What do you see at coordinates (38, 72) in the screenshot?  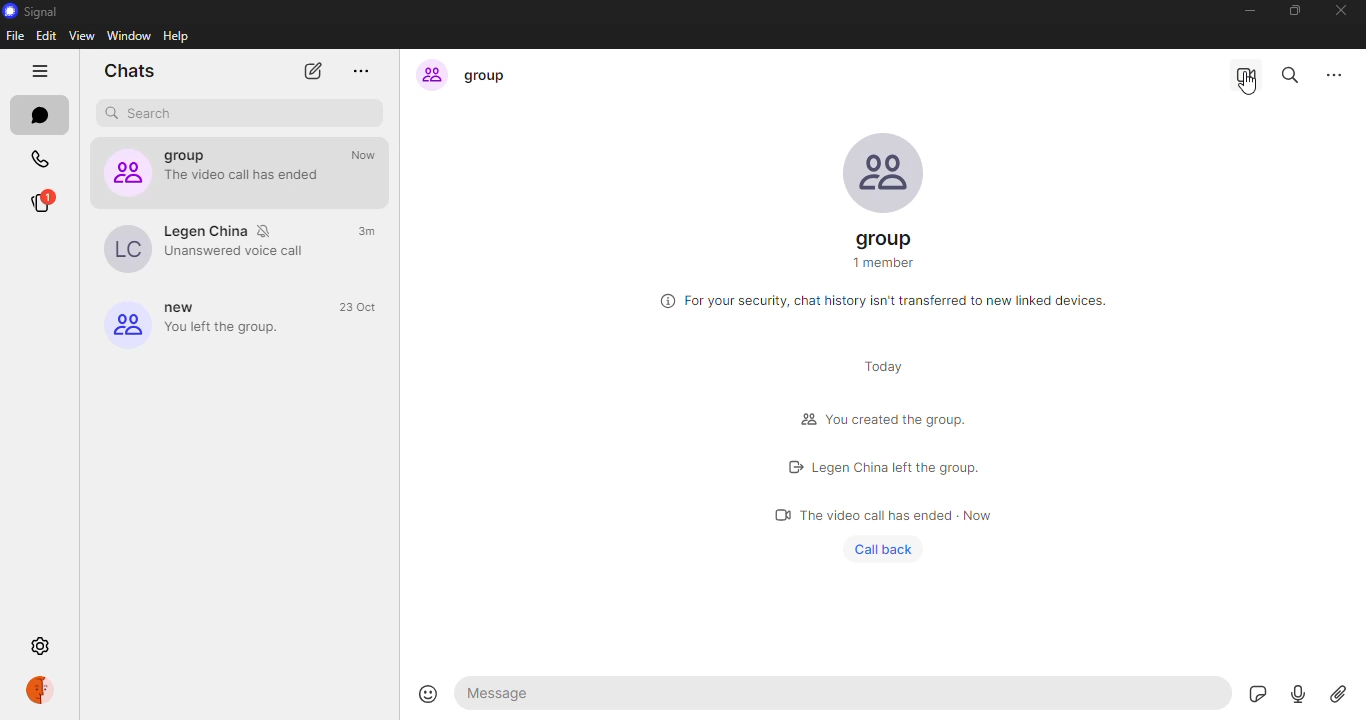 I see `hide tabs` at bounding box center [38, 72].